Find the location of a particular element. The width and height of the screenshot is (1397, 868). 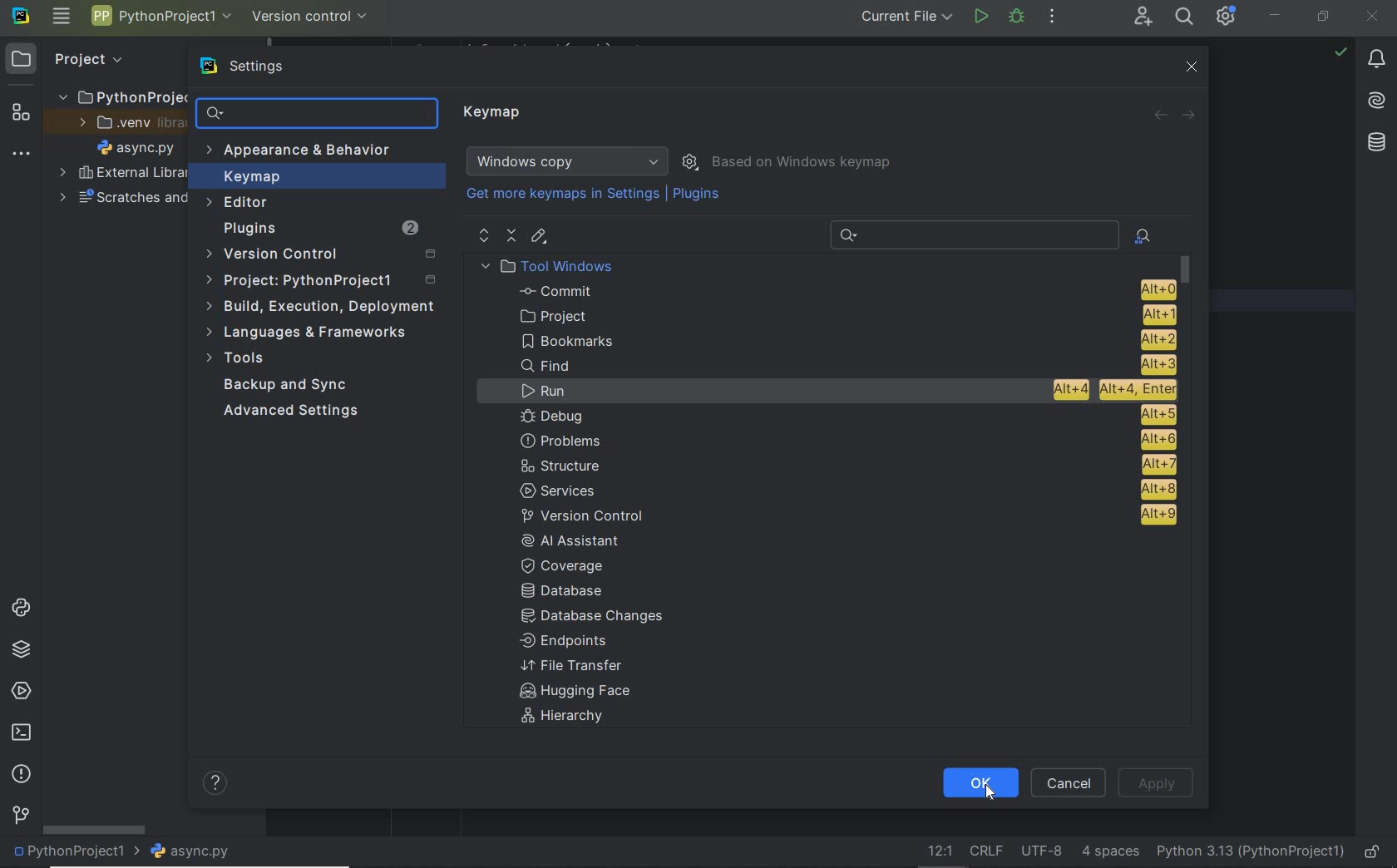

search everywhere is located at coordinates (1185, 17).